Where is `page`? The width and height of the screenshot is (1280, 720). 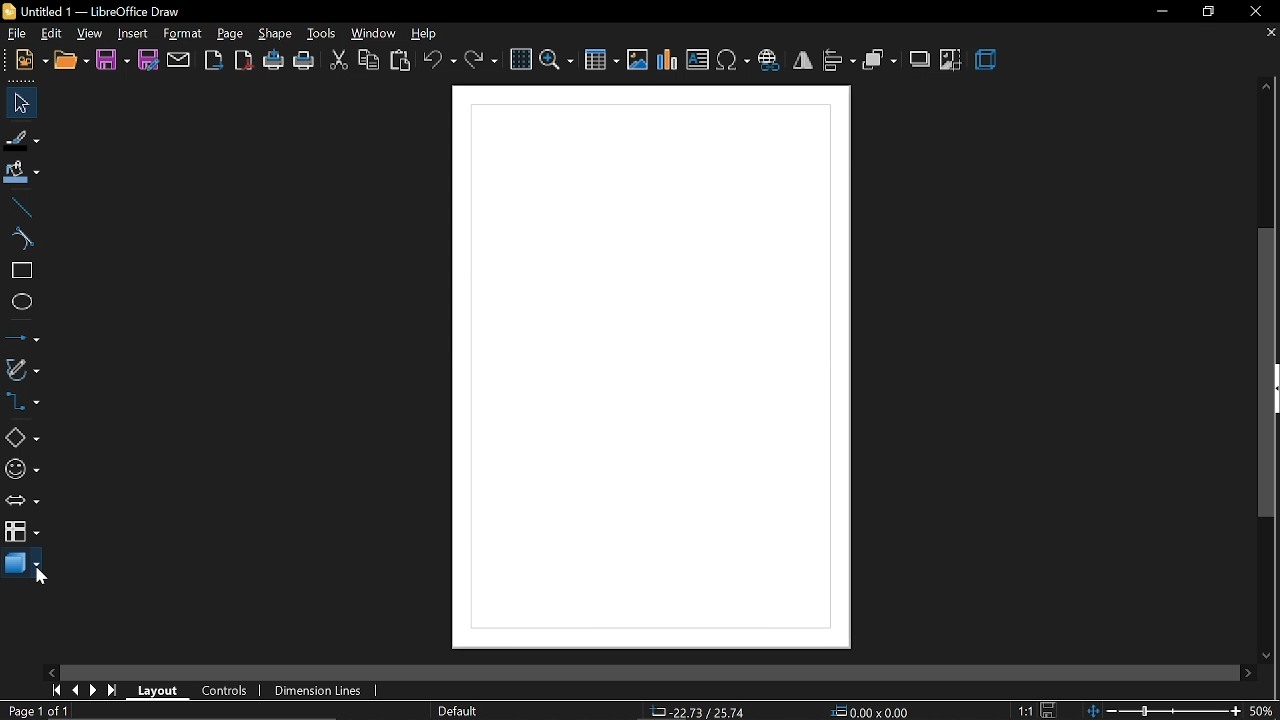 page is located at coordinates (232, 36).